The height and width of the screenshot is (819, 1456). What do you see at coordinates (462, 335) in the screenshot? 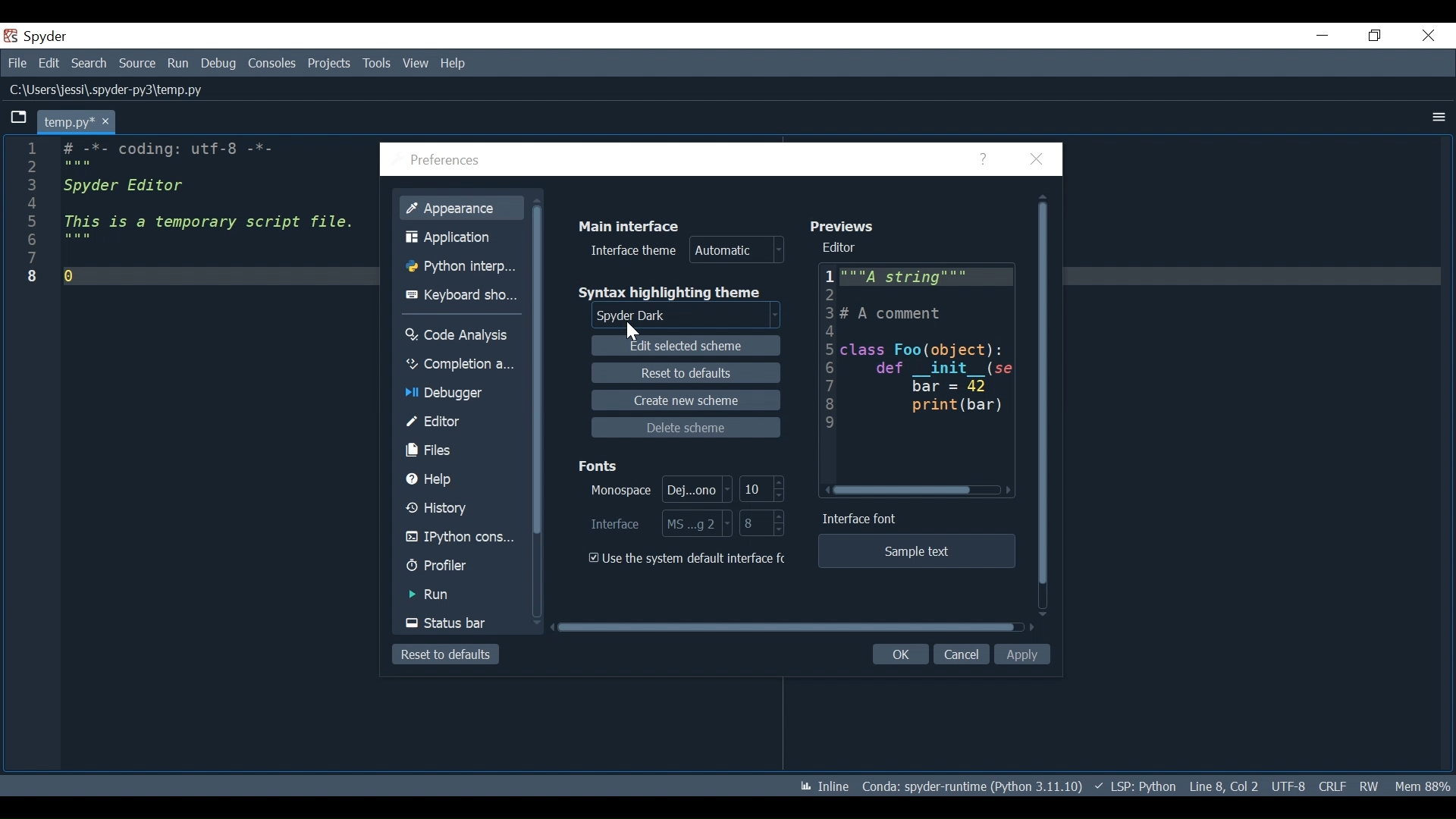
I see `Code Analysis` at bounding box center [462, 335].